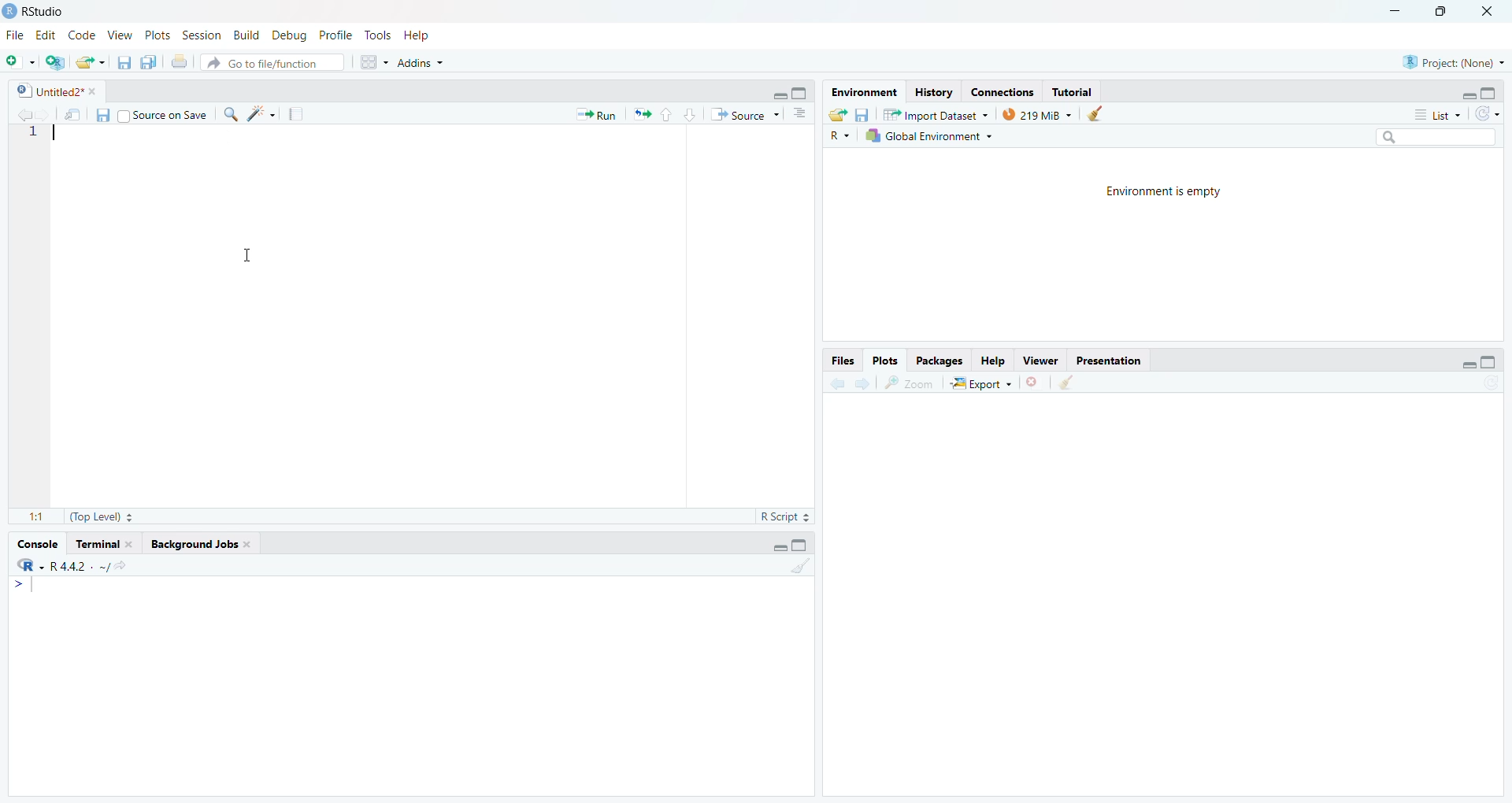 This screenshot has width=1512, height=803. I want to click on Save, so click(102, 115).